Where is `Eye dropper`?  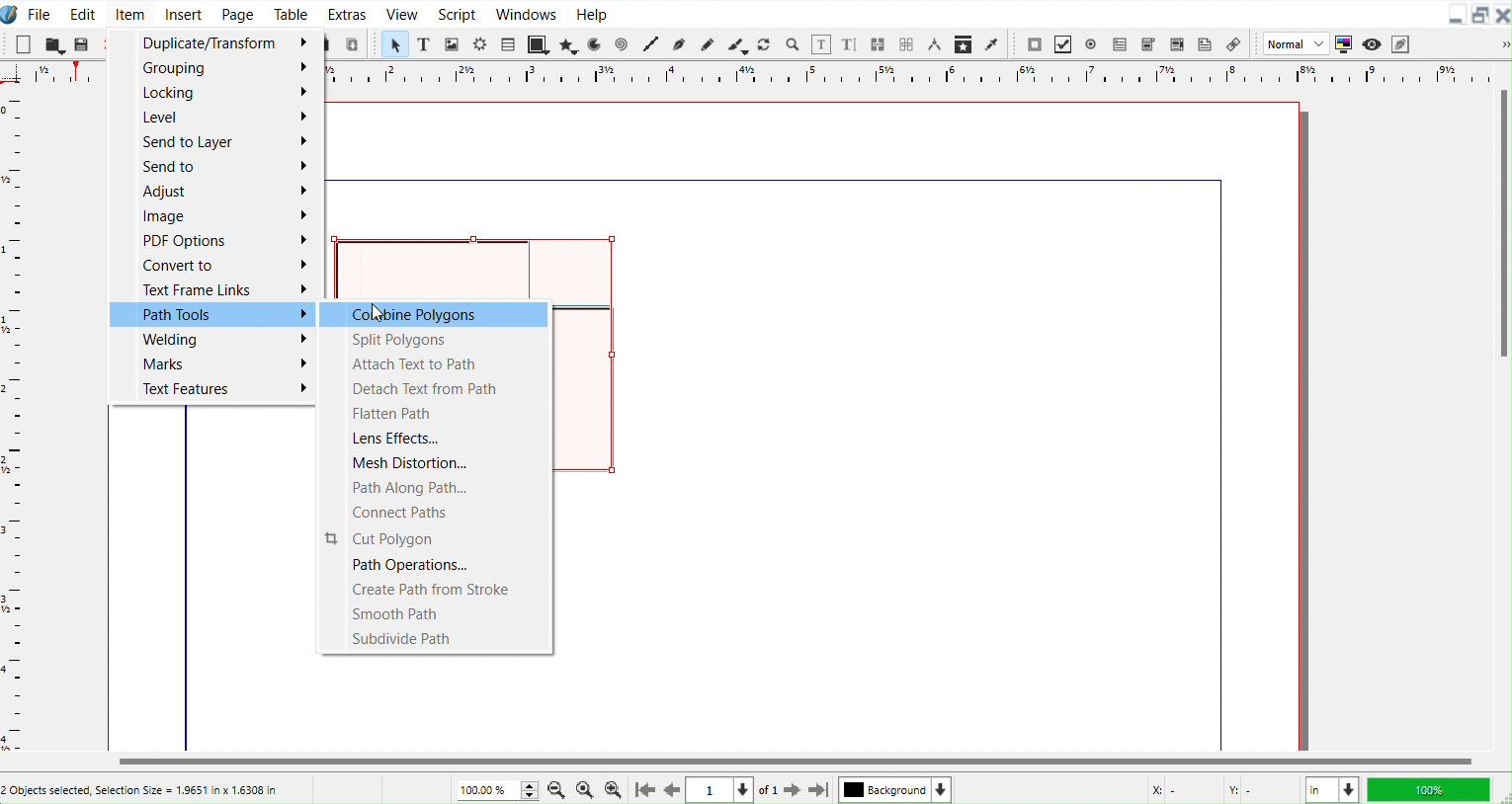
Eye dropper is located at coordinates (992, 43).